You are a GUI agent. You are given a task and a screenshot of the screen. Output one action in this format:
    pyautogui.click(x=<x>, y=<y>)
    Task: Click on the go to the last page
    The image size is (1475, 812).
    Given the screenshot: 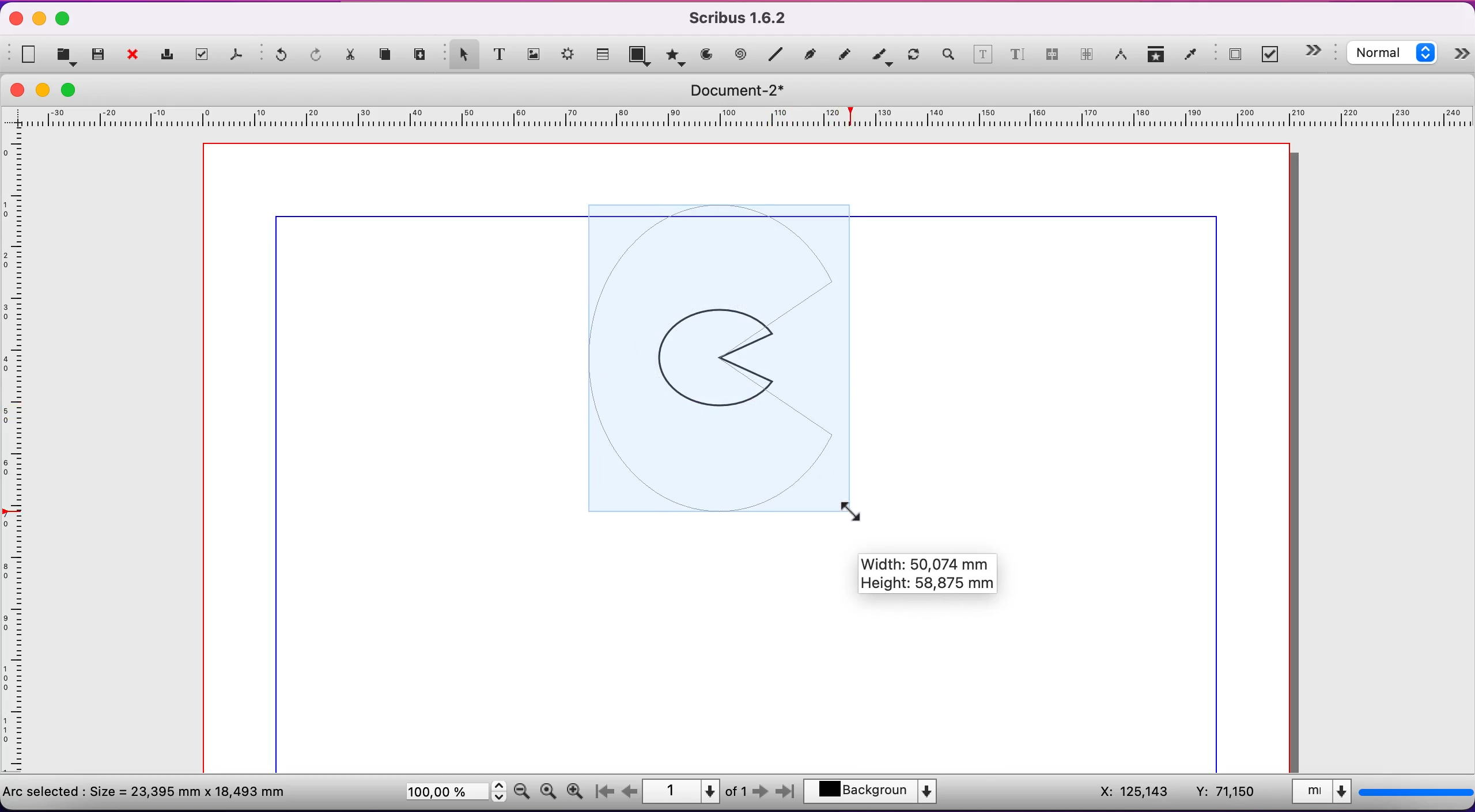 What is the action you would take?
    pyautogui.click(x=784, y=794)
    